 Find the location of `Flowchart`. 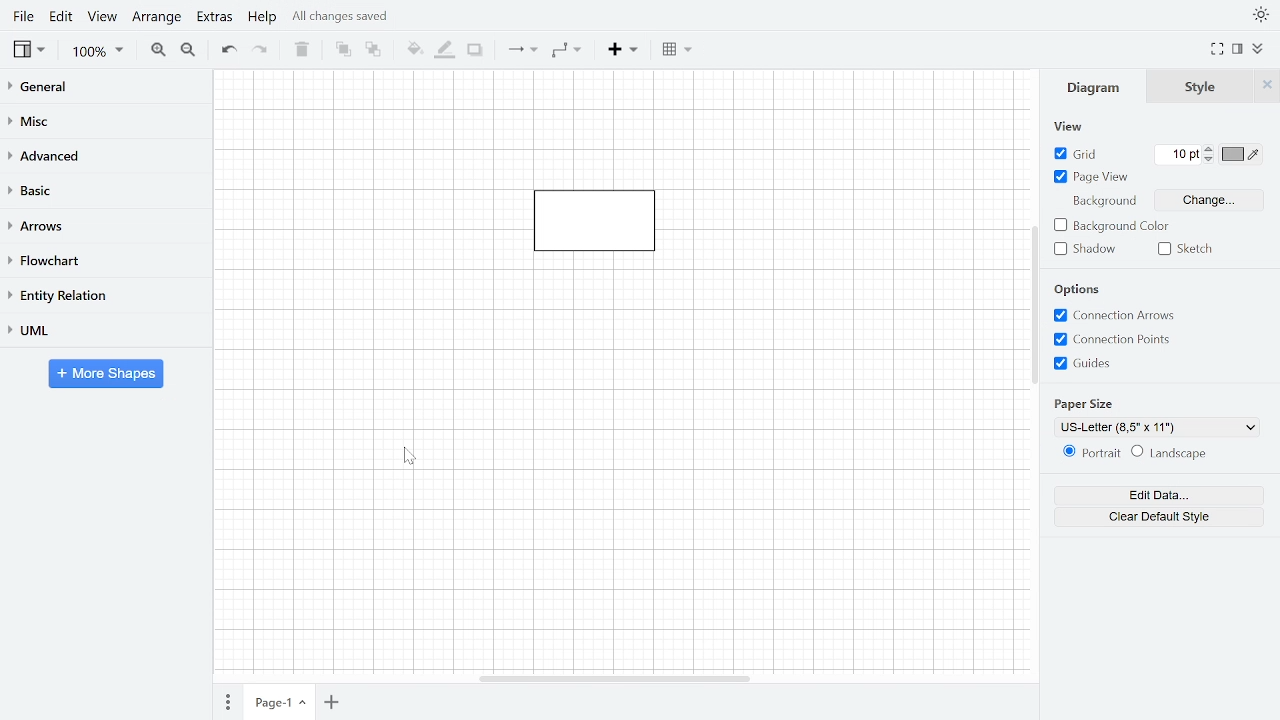

Flowchart is located at coordinates (104, 261).